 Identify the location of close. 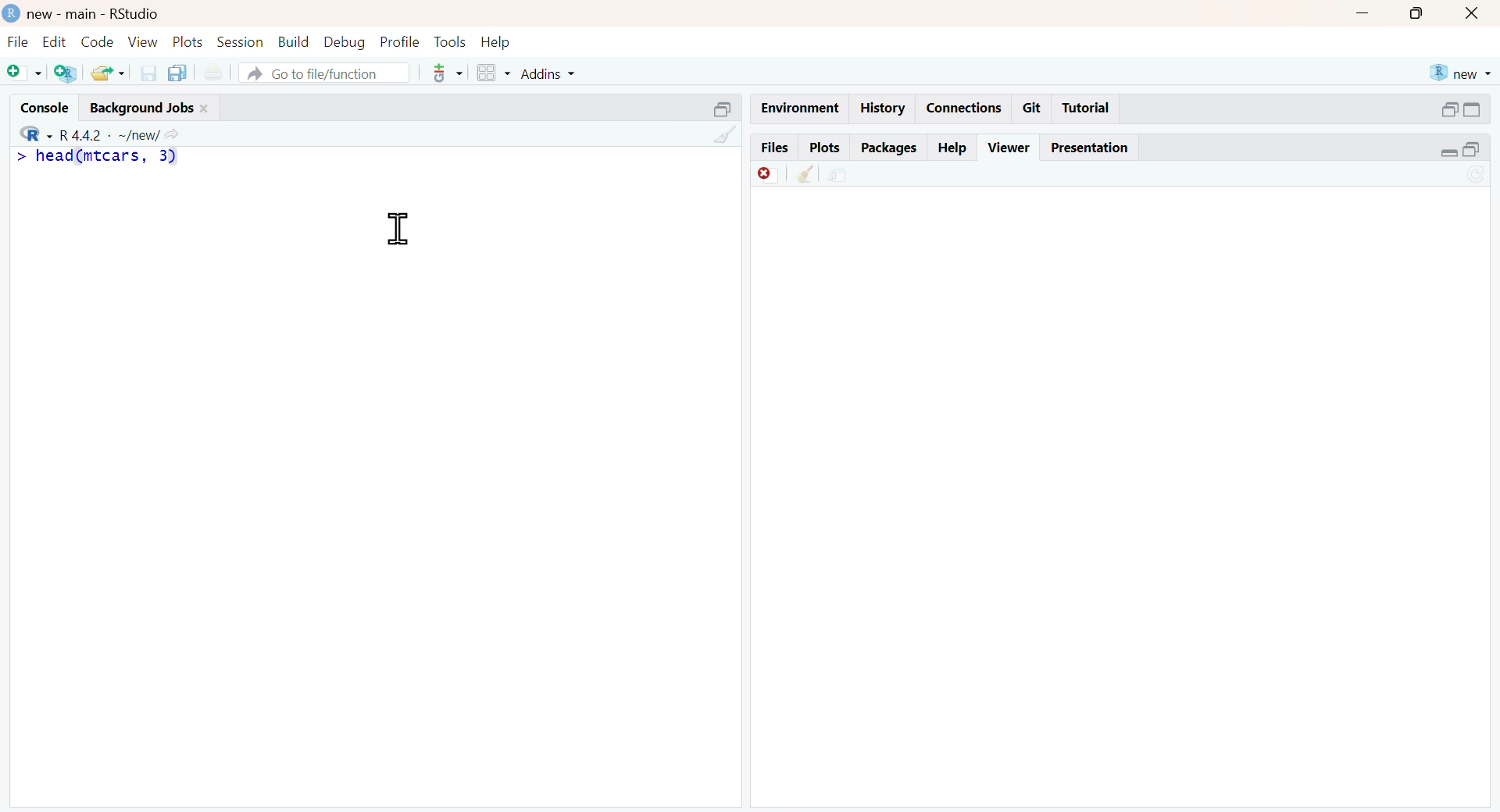
(1476, 15).